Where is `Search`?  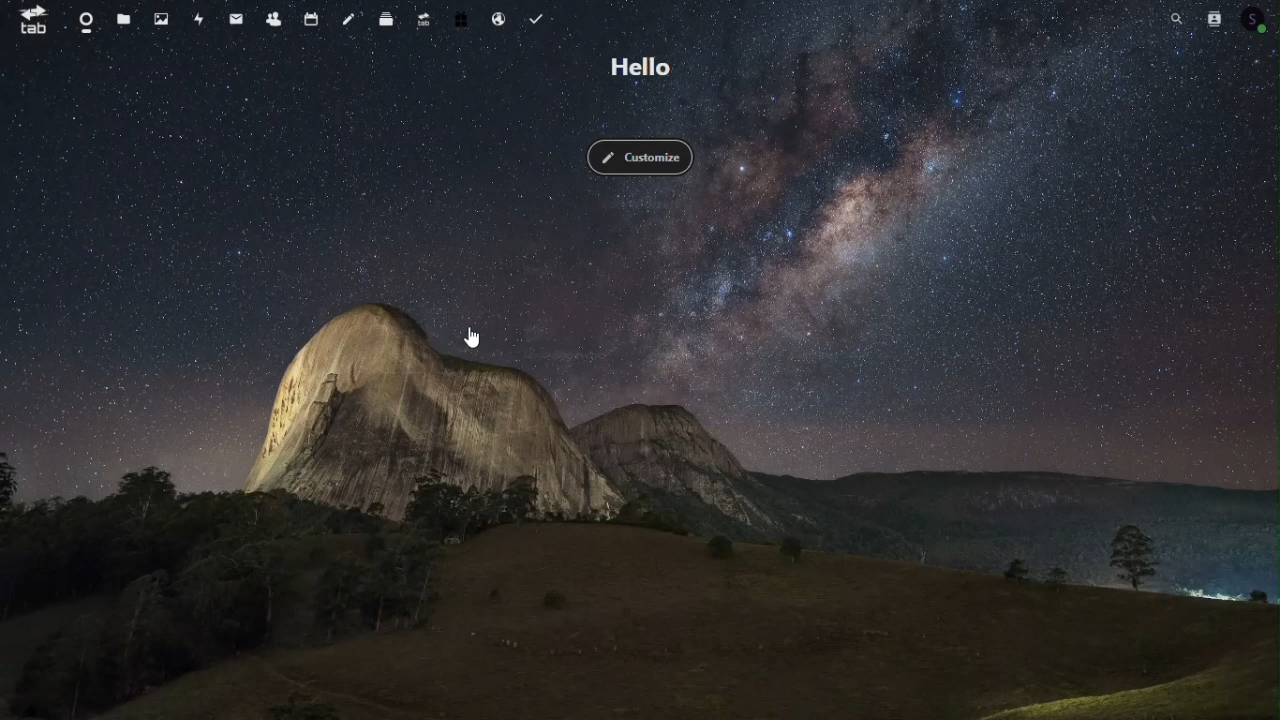
Search is located at coordinates (1176, 17).